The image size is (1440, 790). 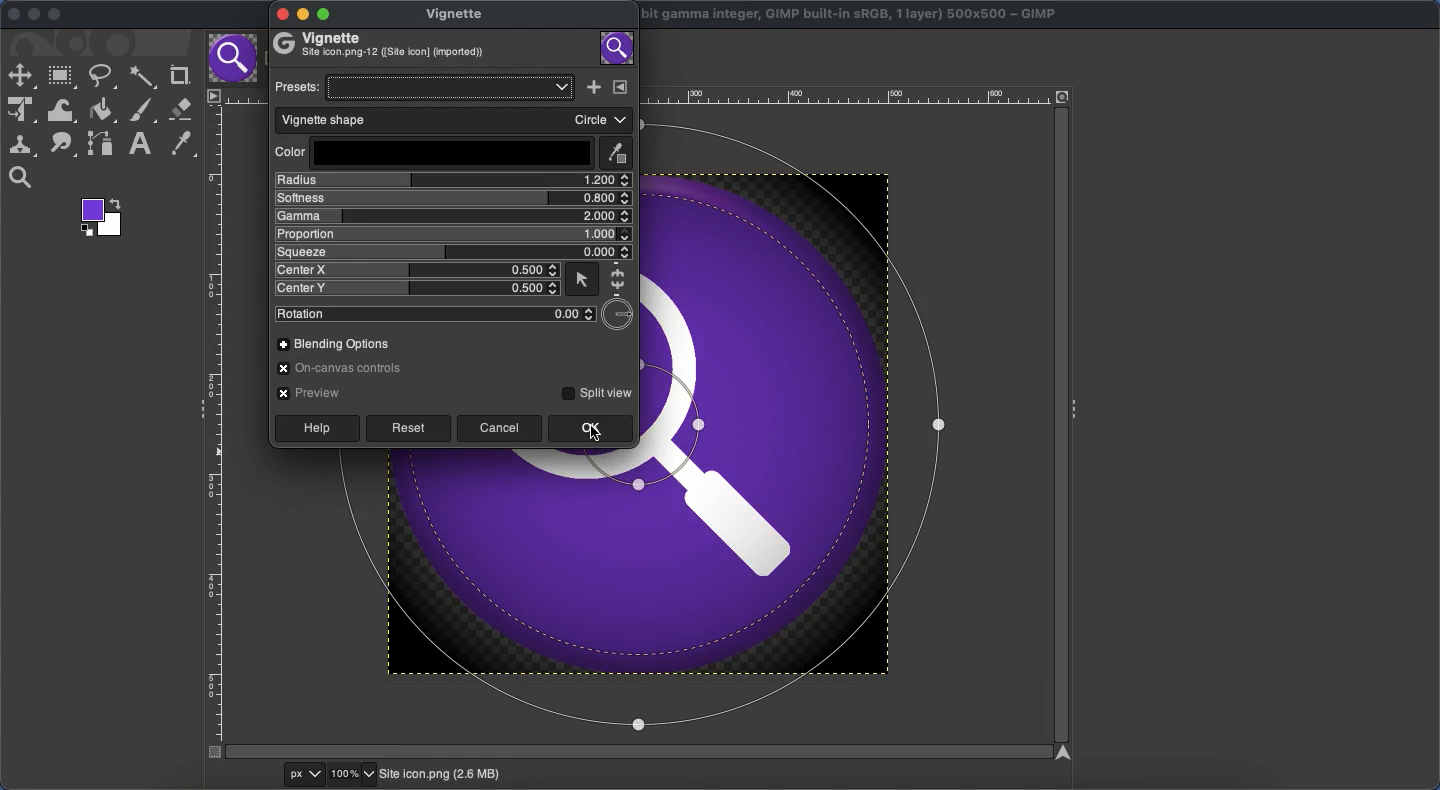 What do you see at coordinates (9, 14) in the screenshot?
I see `Close` at bounding box center [9, 14].